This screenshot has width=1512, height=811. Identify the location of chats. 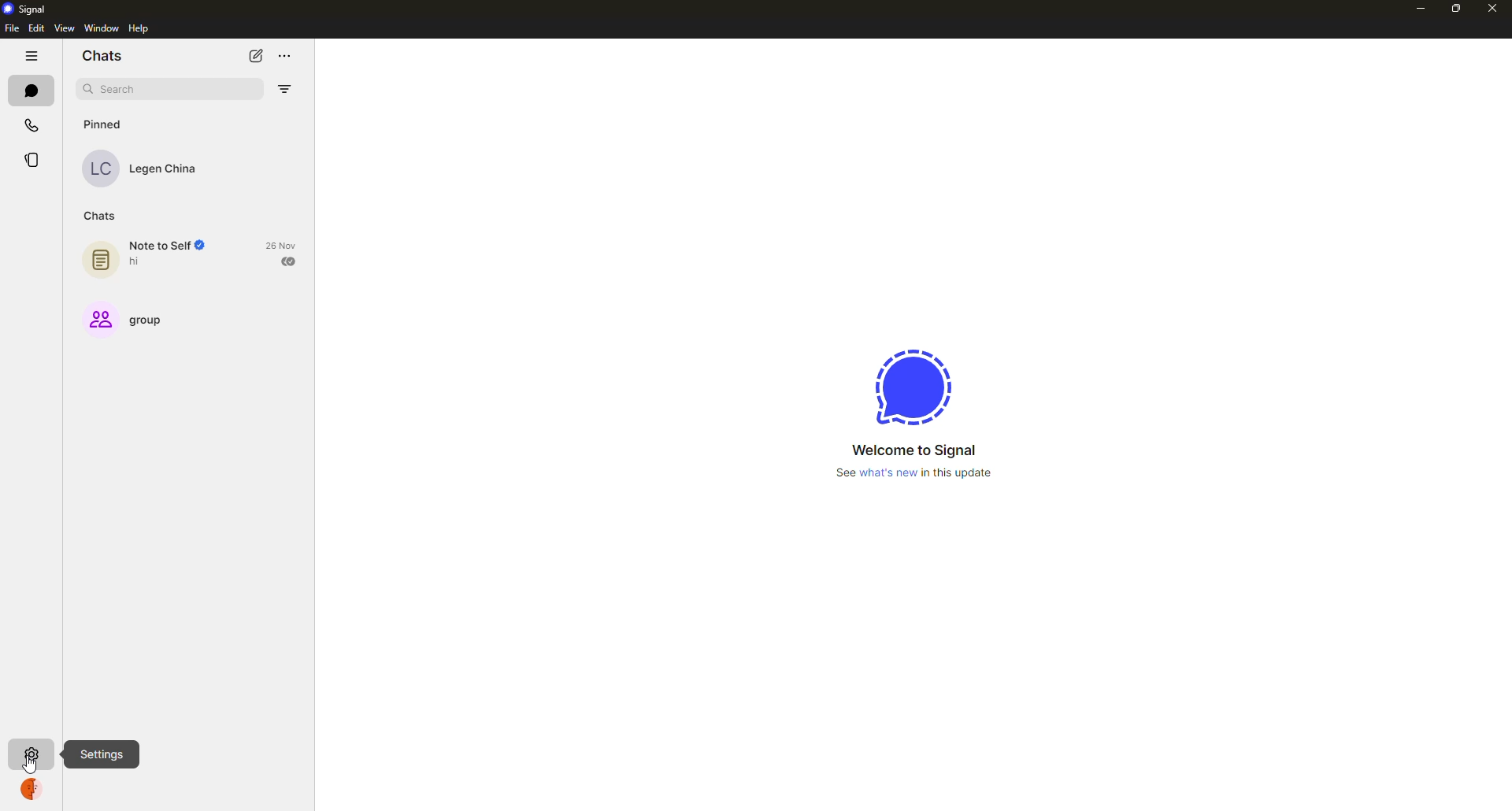
(105, 216).